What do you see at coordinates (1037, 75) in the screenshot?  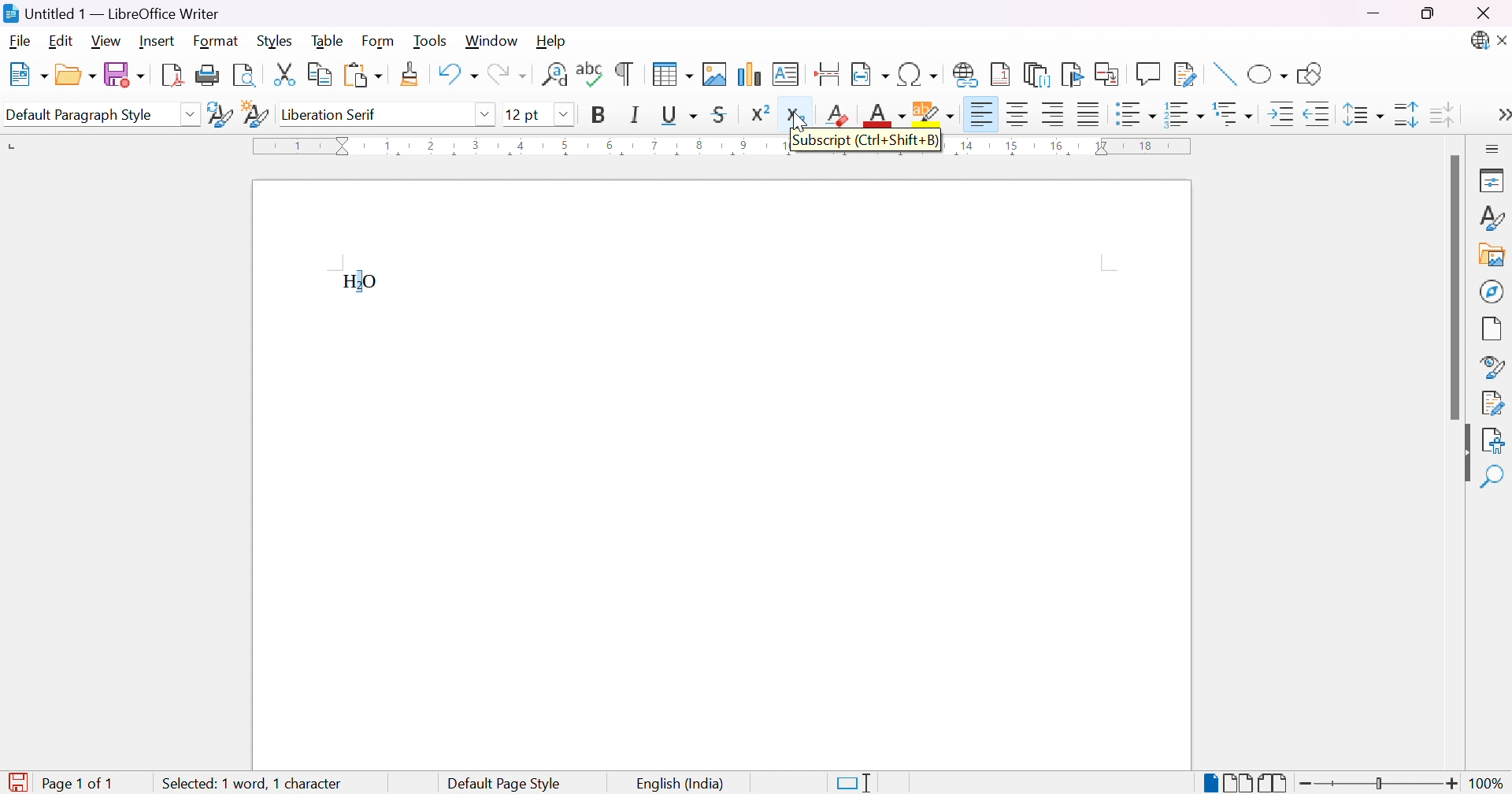 I see `Insert endnote` at bounding box center [1037, 75].